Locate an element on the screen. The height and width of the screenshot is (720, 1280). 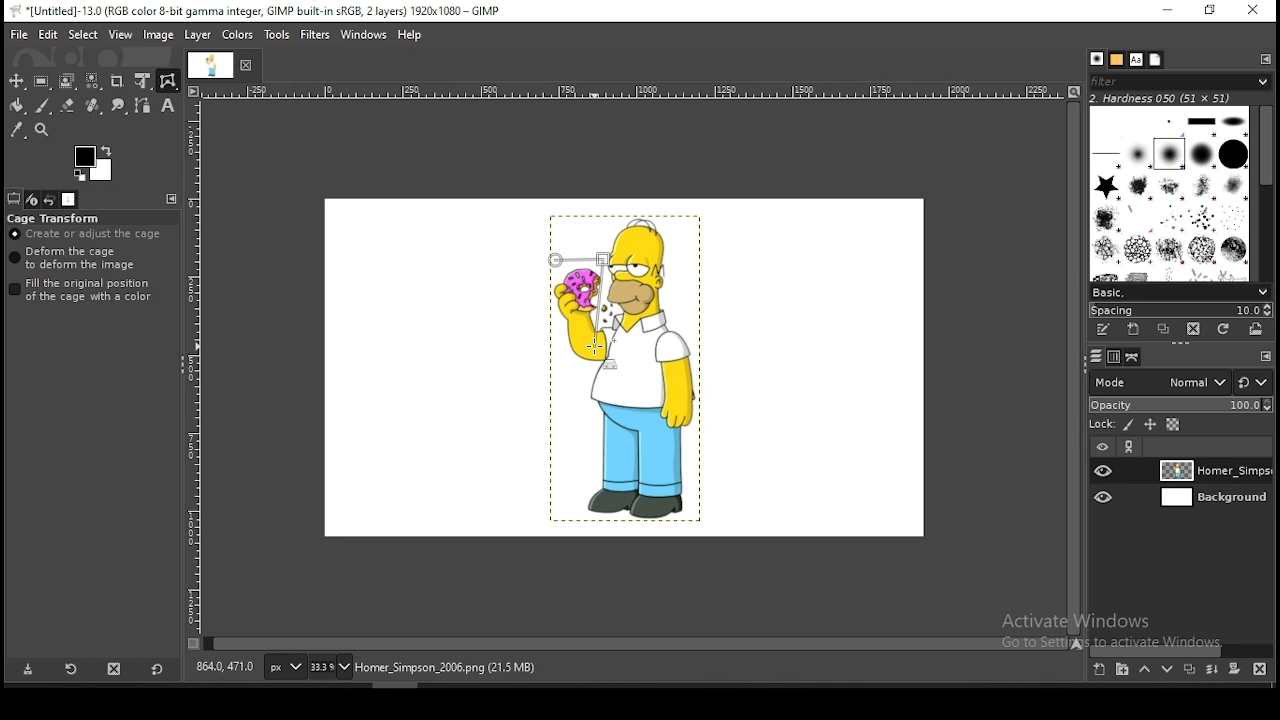
image is located at coordinates (160, 37).